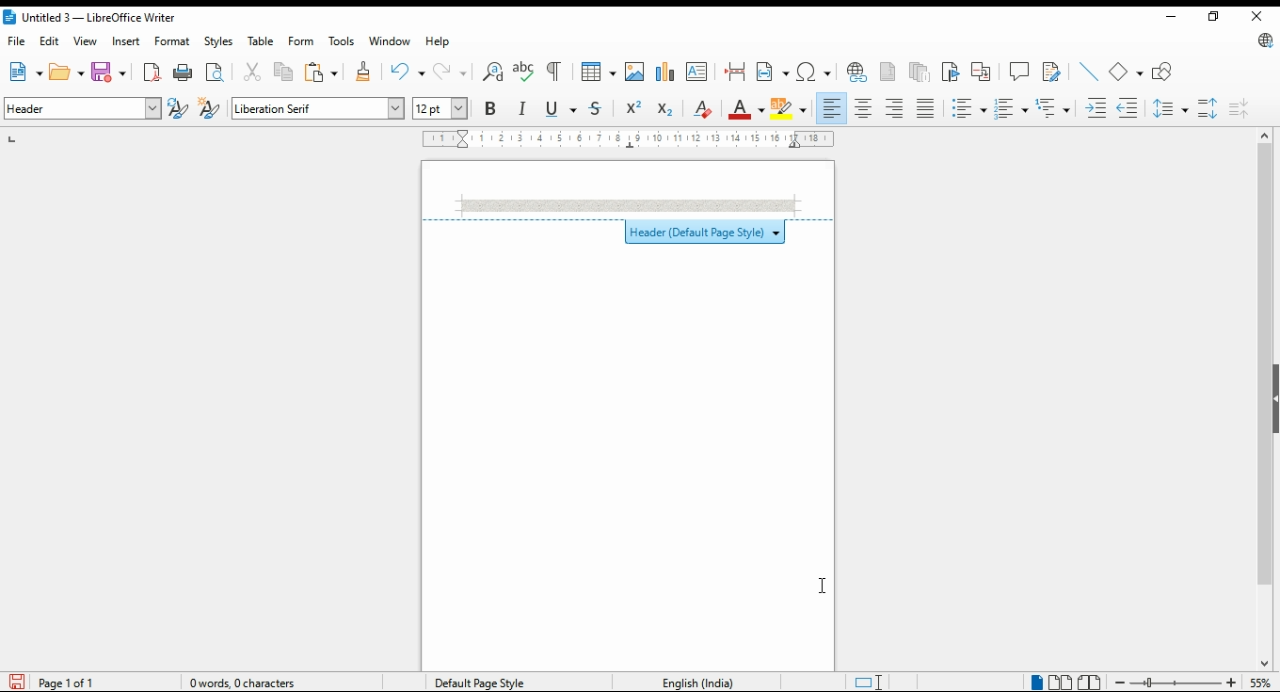  Describe the element at coordinates (179, 108) in the screenshot. I see `update selected style` at that location.